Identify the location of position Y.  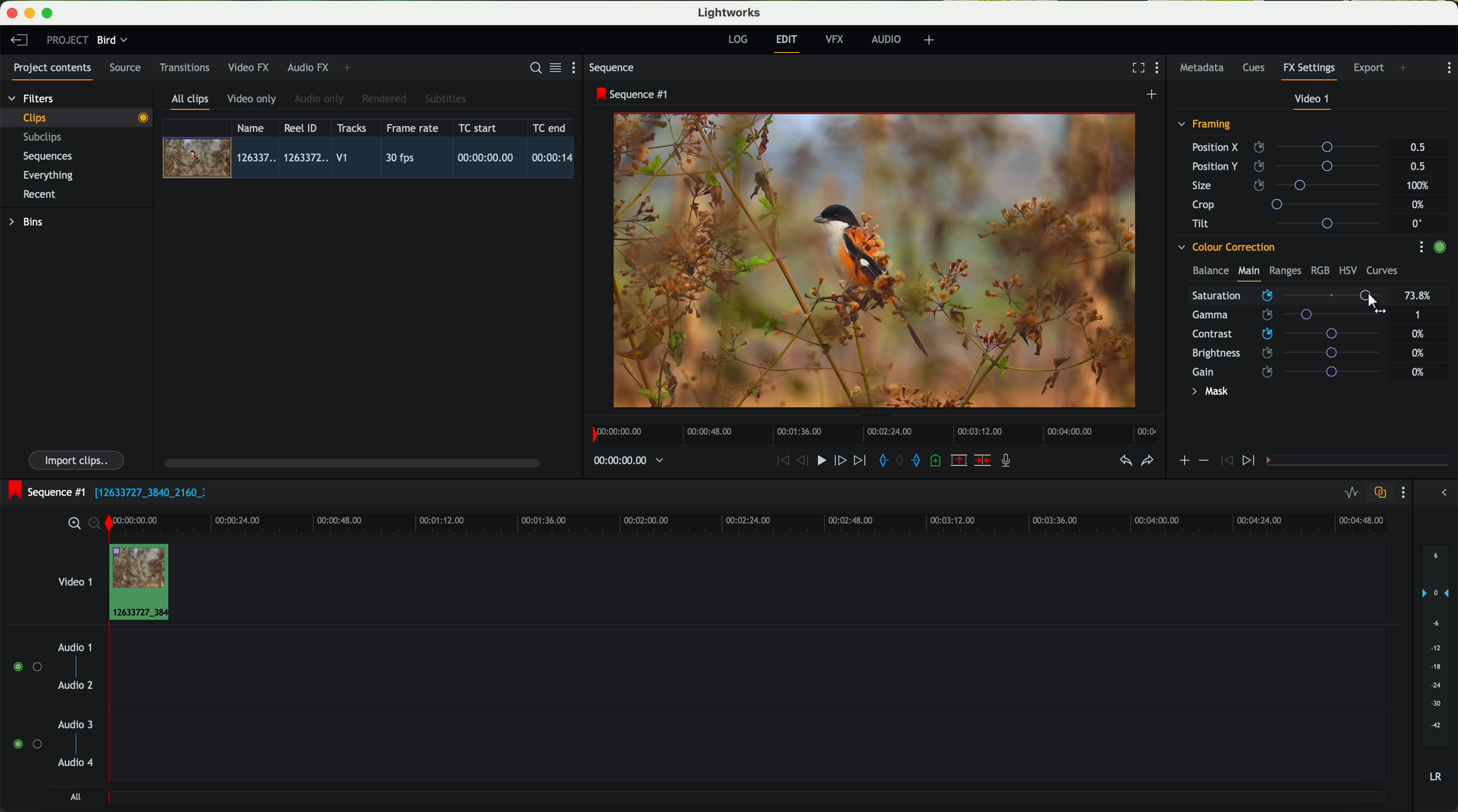
(1290, 166).